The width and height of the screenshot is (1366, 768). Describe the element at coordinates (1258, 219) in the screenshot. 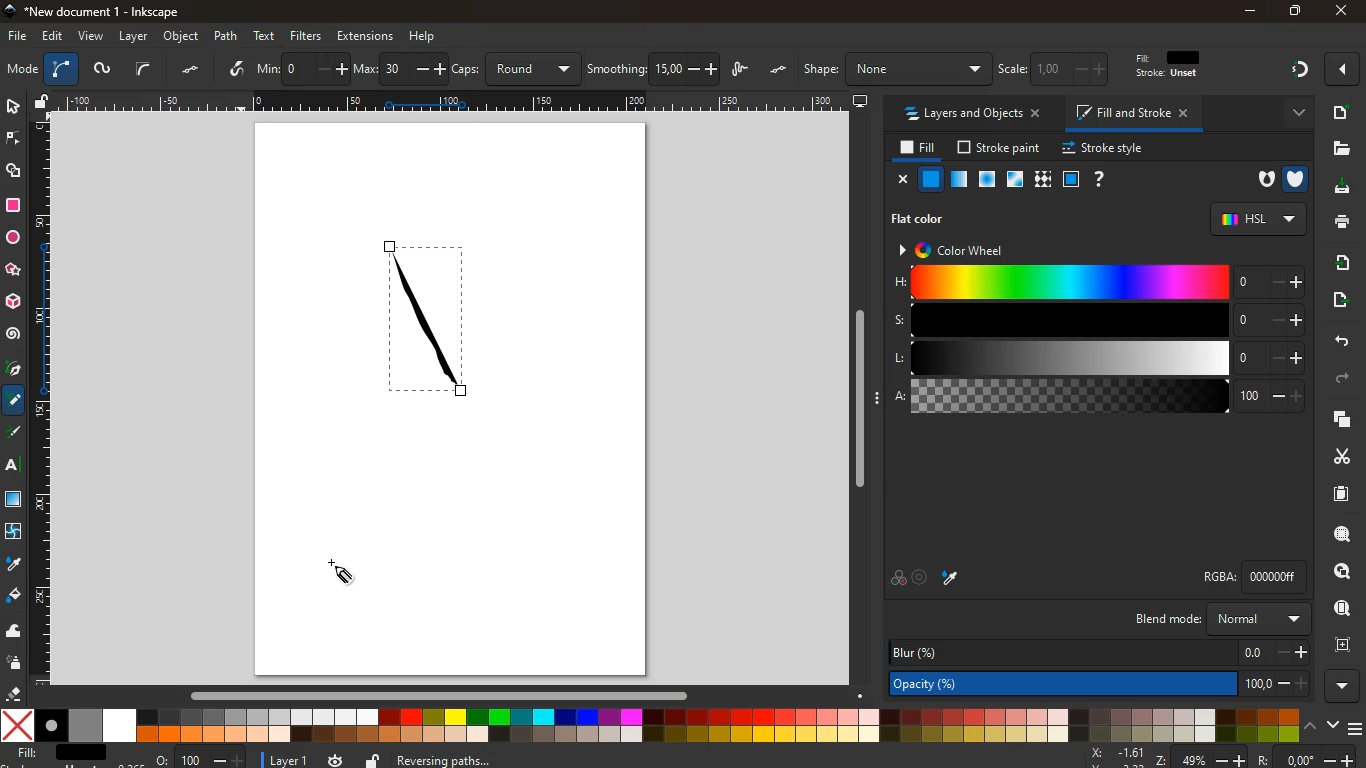

I see `hsl` at that location.